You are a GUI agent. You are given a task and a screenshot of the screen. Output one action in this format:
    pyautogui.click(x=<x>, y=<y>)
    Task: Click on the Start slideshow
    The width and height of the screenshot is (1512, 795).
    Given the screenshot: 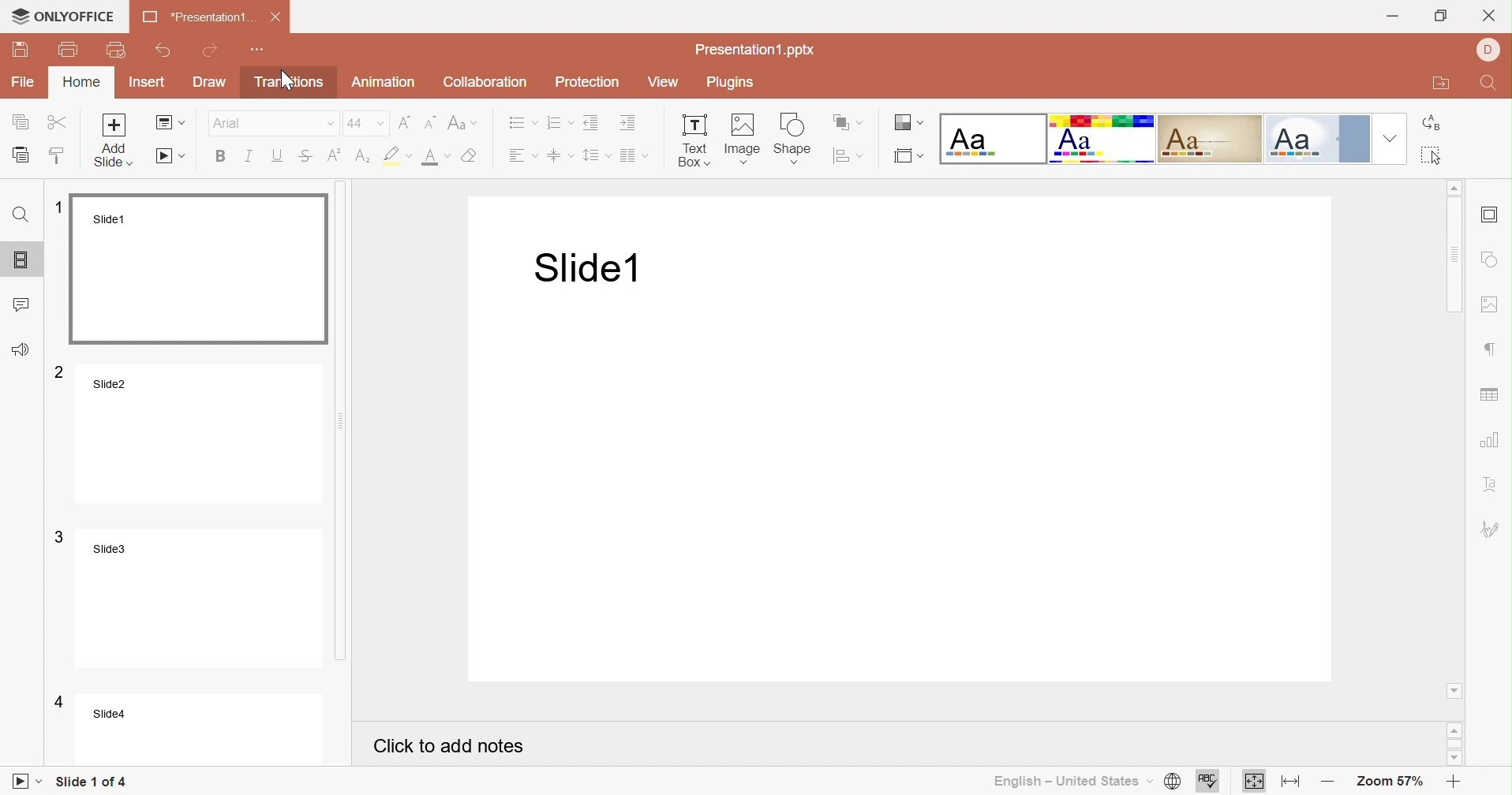 What is the action you would take?
    pyautogui.click(x=170, y=155)
    